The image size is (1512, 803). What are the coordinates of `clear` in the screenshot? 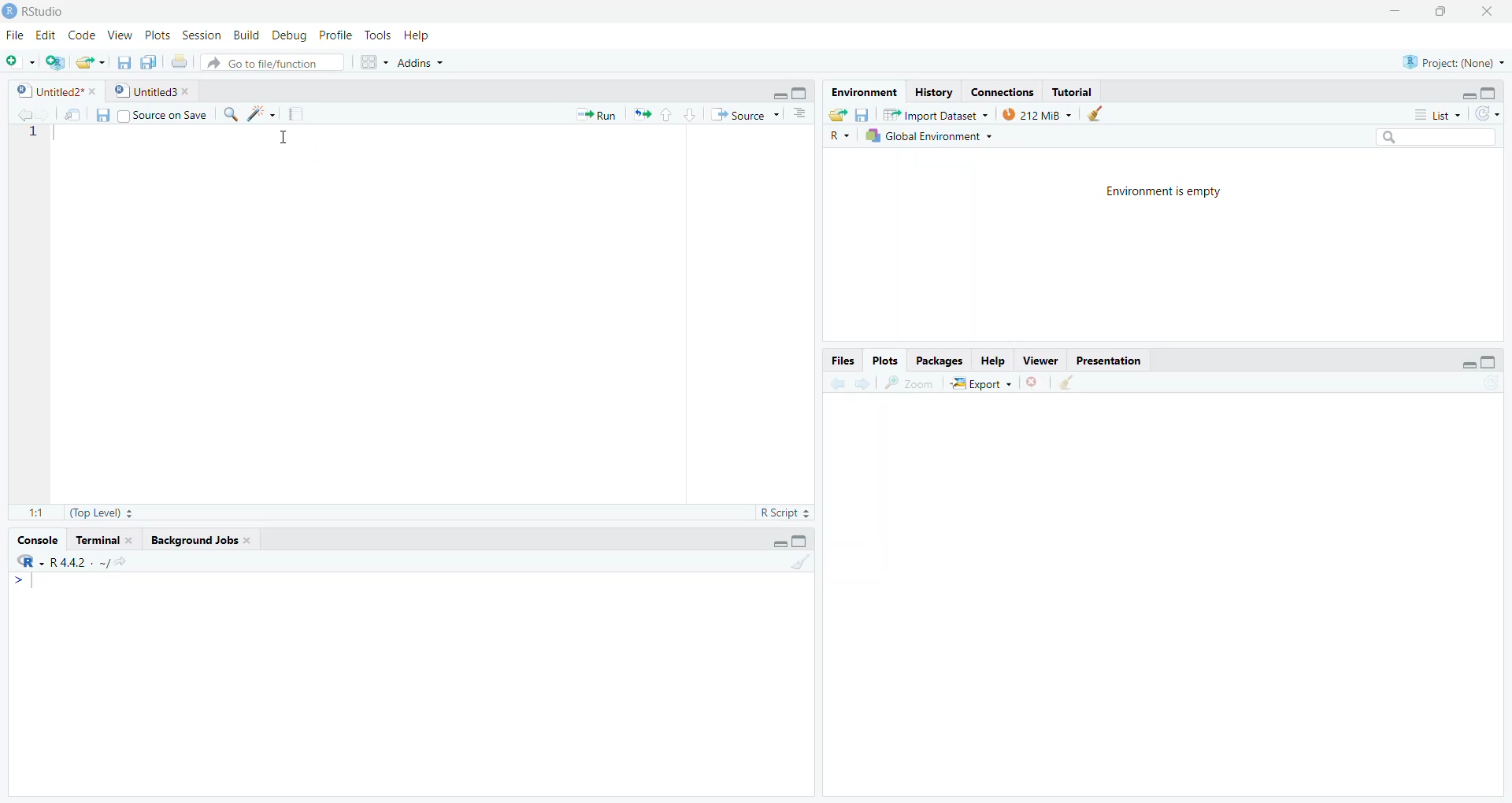 It's located at (1112, 113).